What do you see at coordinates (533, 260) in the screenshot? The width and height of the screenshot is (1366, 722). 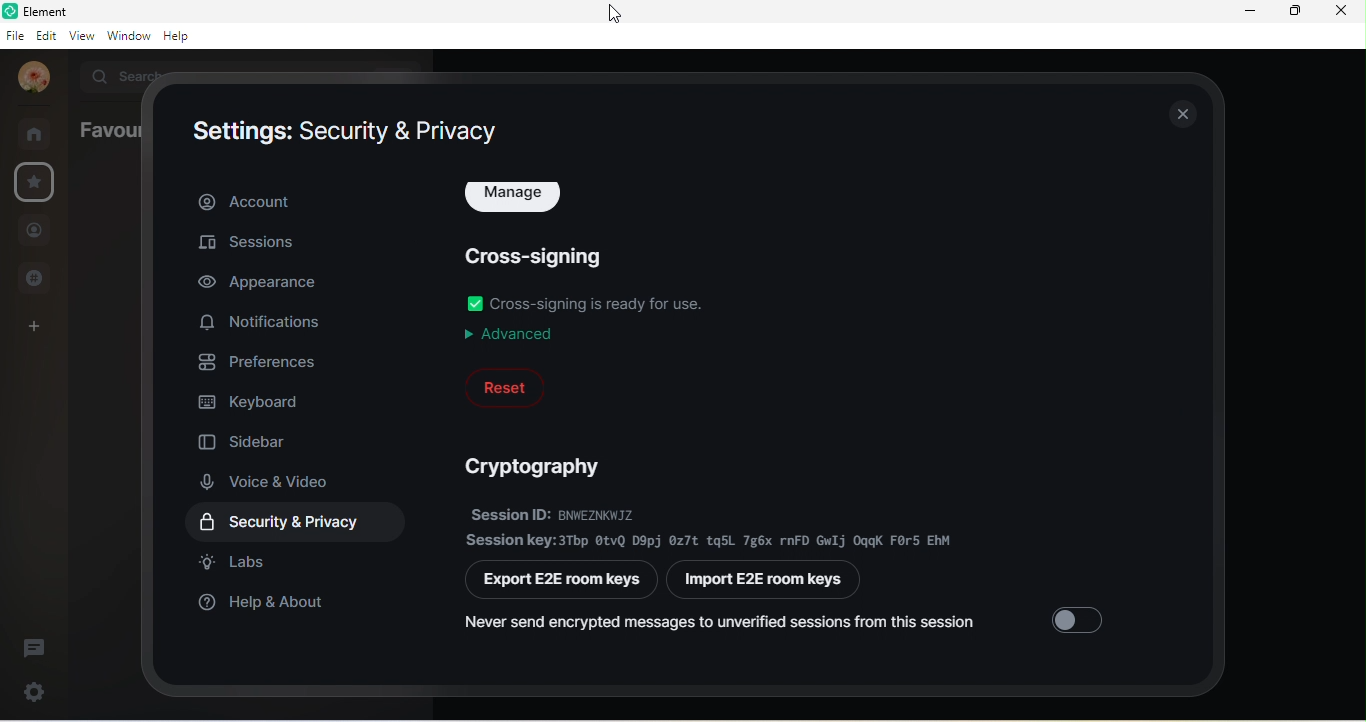 I see `cross-signing` at bounding box center [533, 260].